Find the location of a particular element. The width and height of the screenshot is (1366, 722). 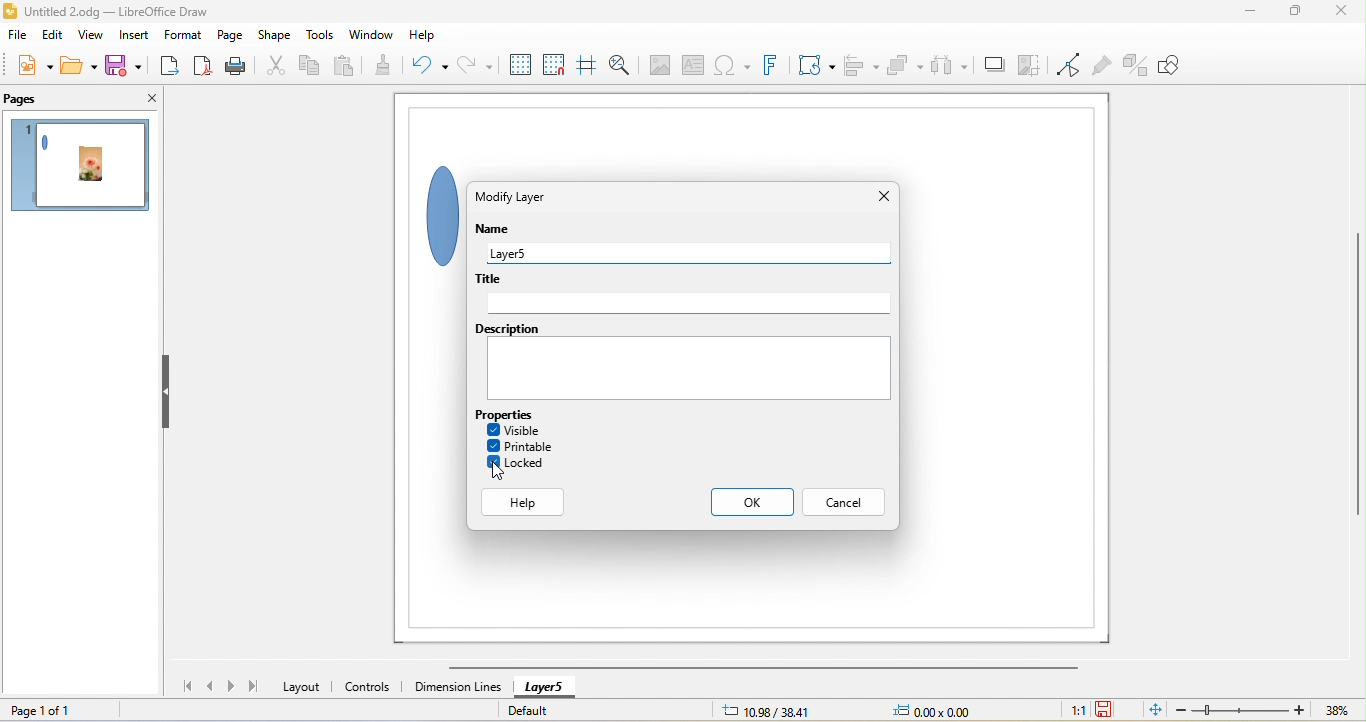

layer 5 is located at coordinates (695, 253).